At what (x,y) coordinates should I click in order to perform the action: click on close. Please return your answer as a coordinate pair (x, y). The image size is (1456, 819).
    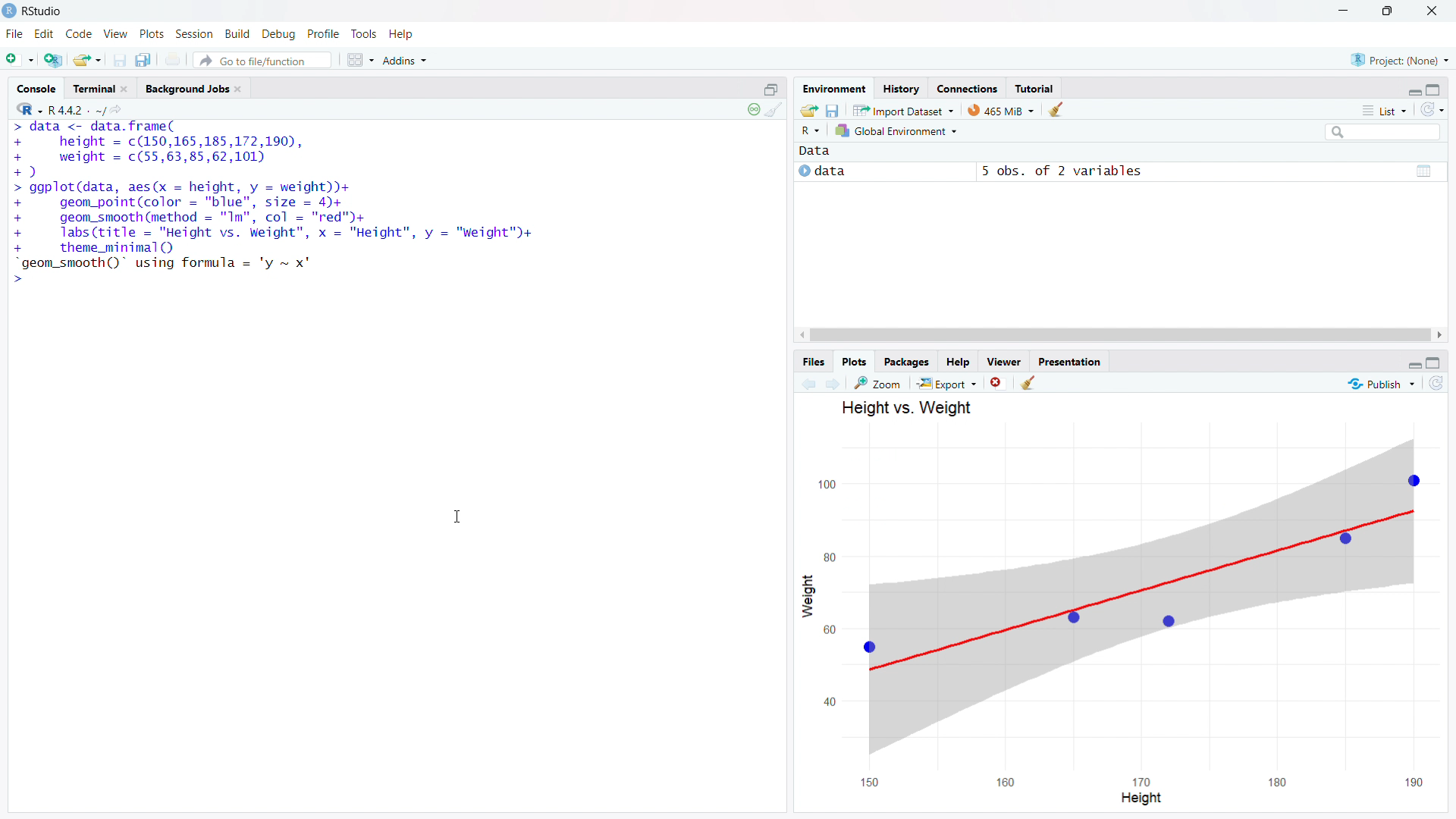
    Looking at the image, I should click on (237, 89).